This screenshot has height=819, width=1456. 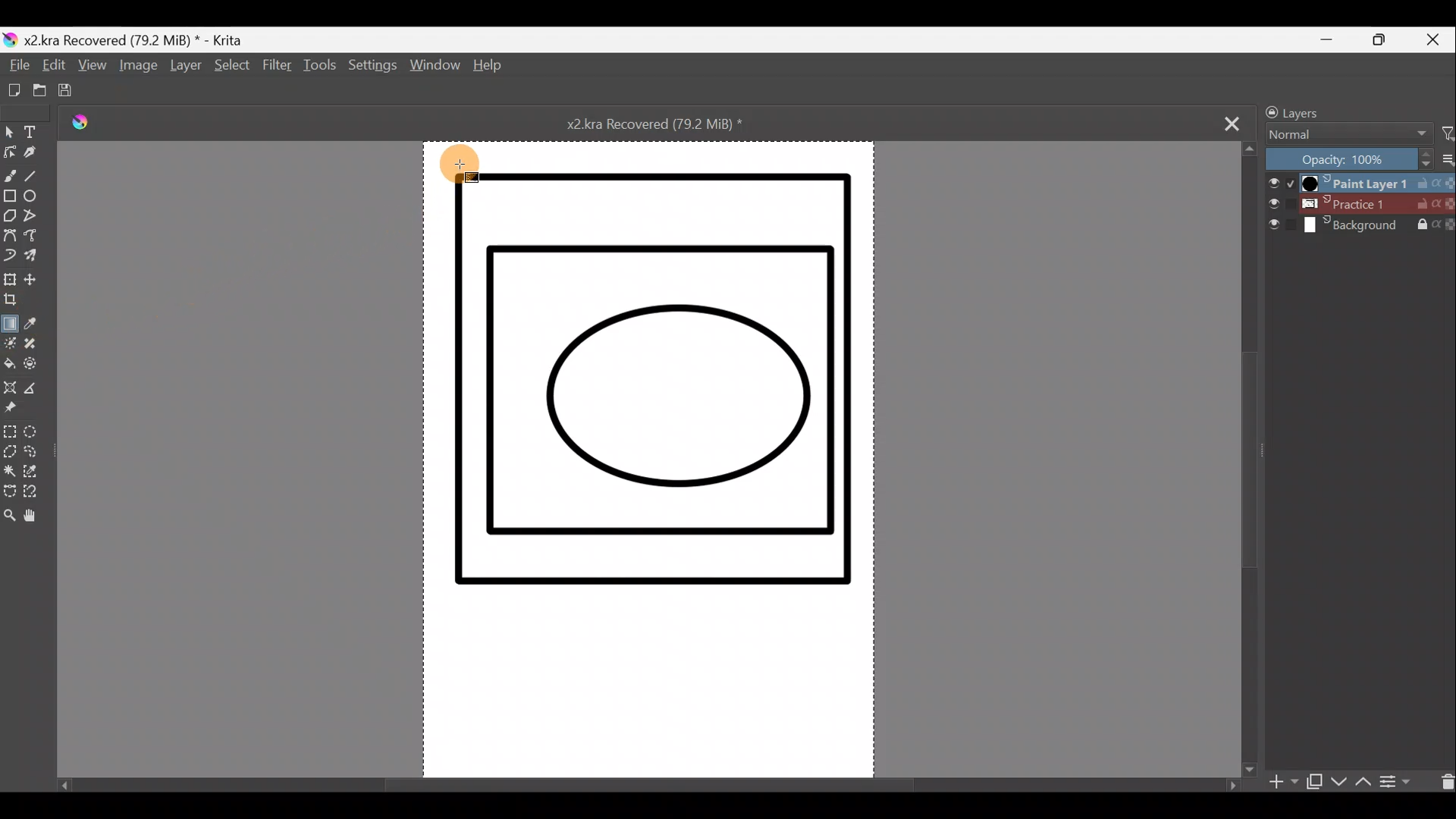 What do you see at coordinates (1386, 40) in the screenshot?
I see `Maximise` at bounding box center [1386, 40].